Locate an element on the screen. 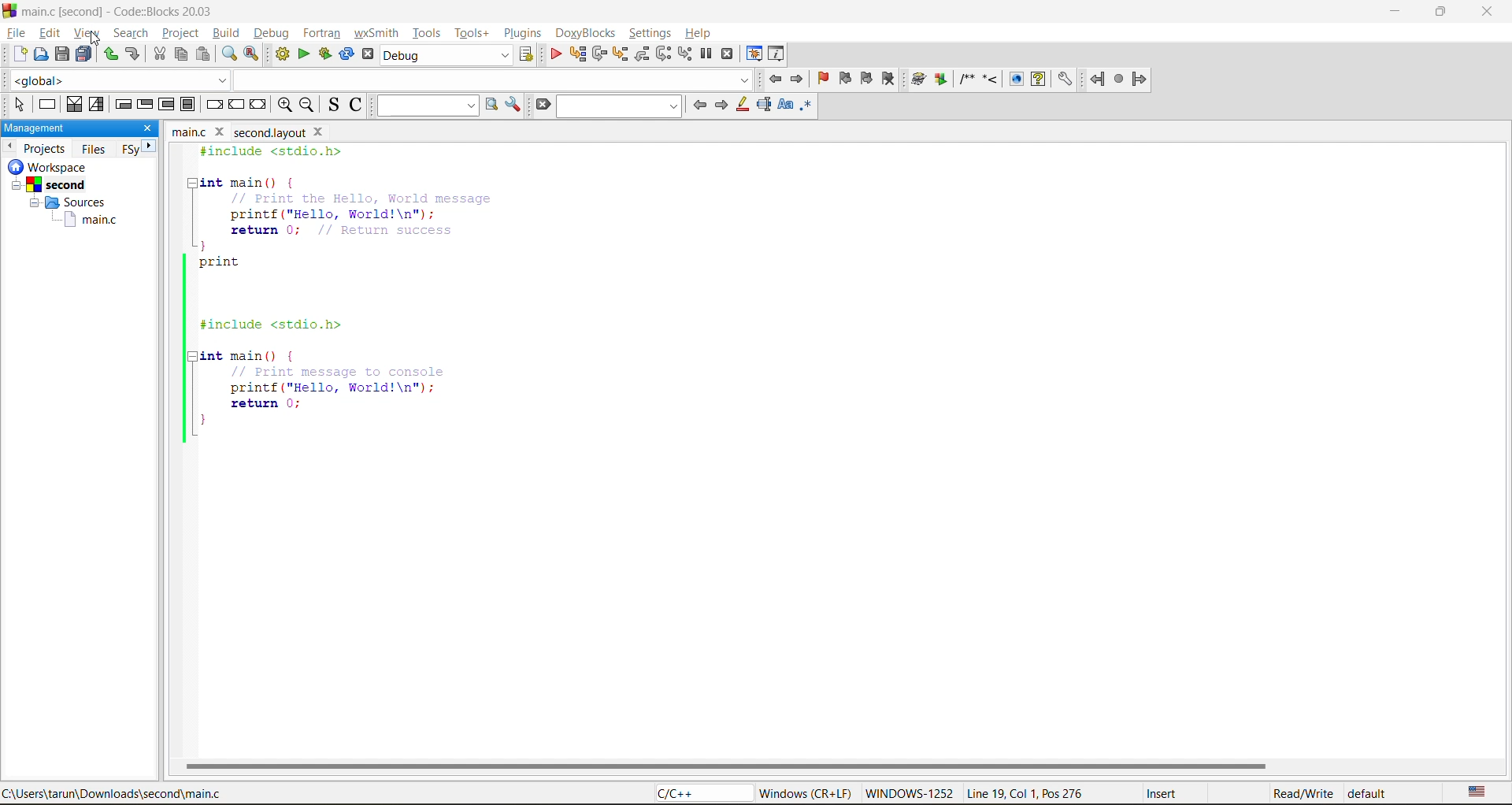 The image size is (1512, 805). code editor is located at coordinates (400, 295).